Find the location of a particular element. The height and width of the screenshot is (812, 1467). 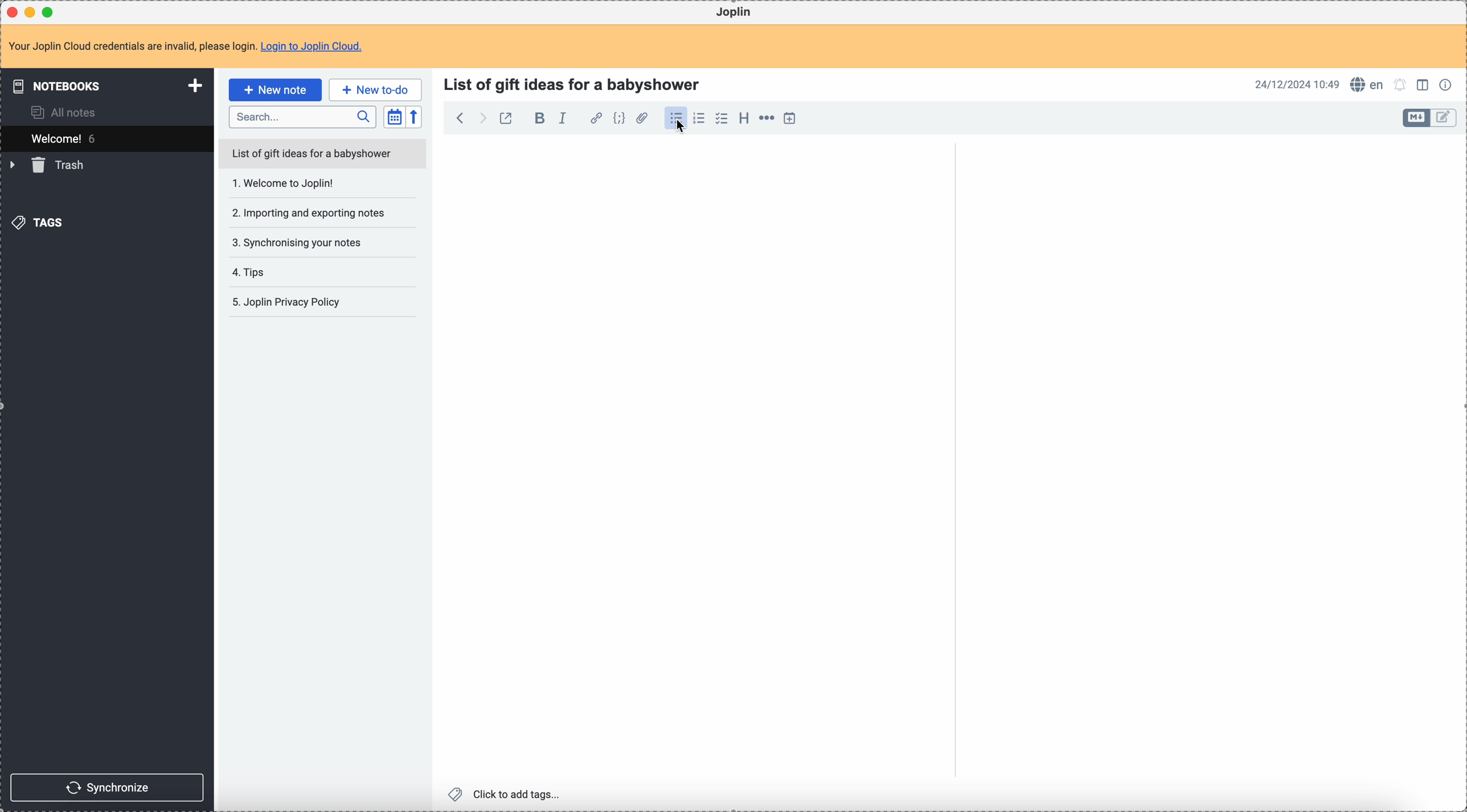

heading is located at coordinates (744, 121).